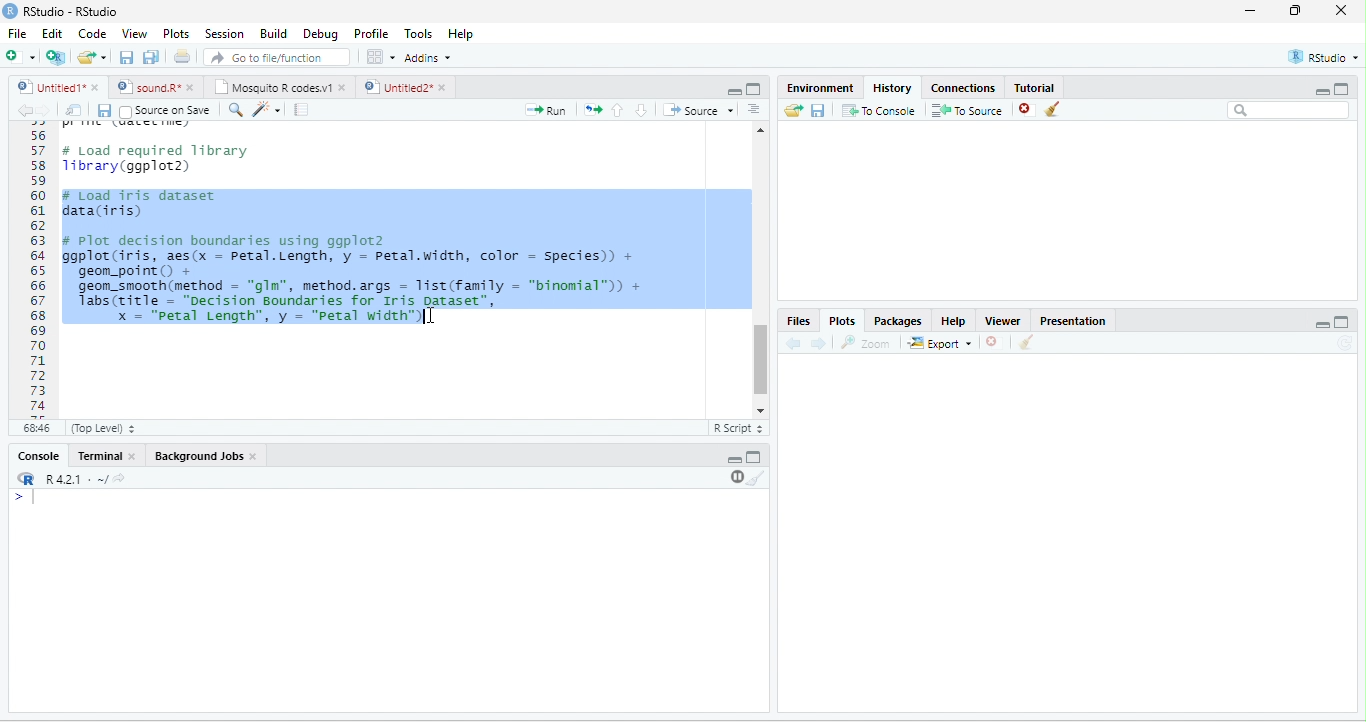 This screenshot has width=1366, height=722. What do you see at coordinates (794, 110) in the screenshot?
I see `open folder` at bounding box center [794, 110].